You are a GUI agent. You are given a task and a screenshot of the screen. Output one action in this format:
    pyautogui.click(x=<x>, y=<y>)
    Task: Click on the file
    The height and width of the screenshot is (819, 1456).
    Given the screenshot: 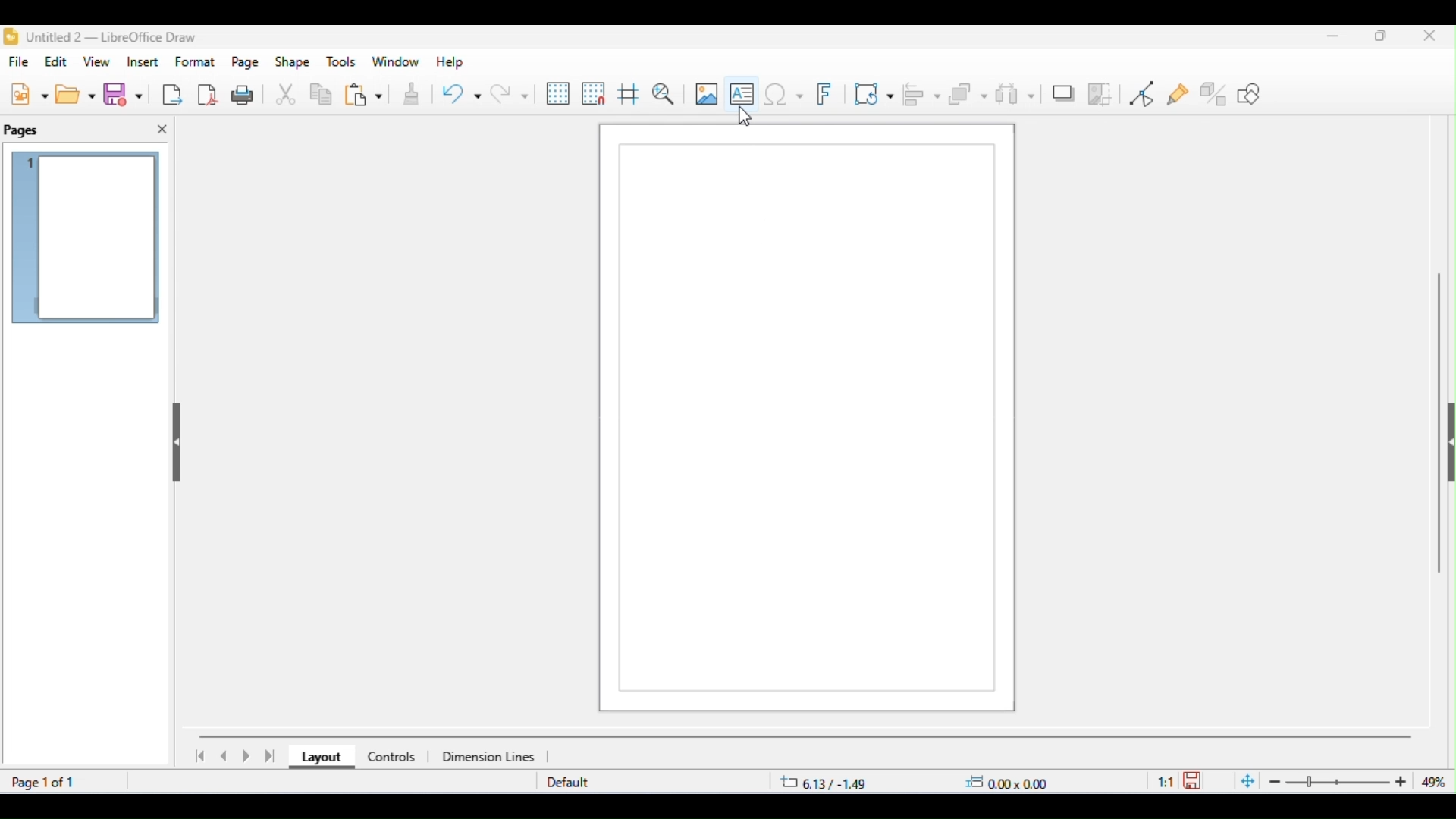 What is the action you would take?
    pyautogui.click(x=21, y=63)
    